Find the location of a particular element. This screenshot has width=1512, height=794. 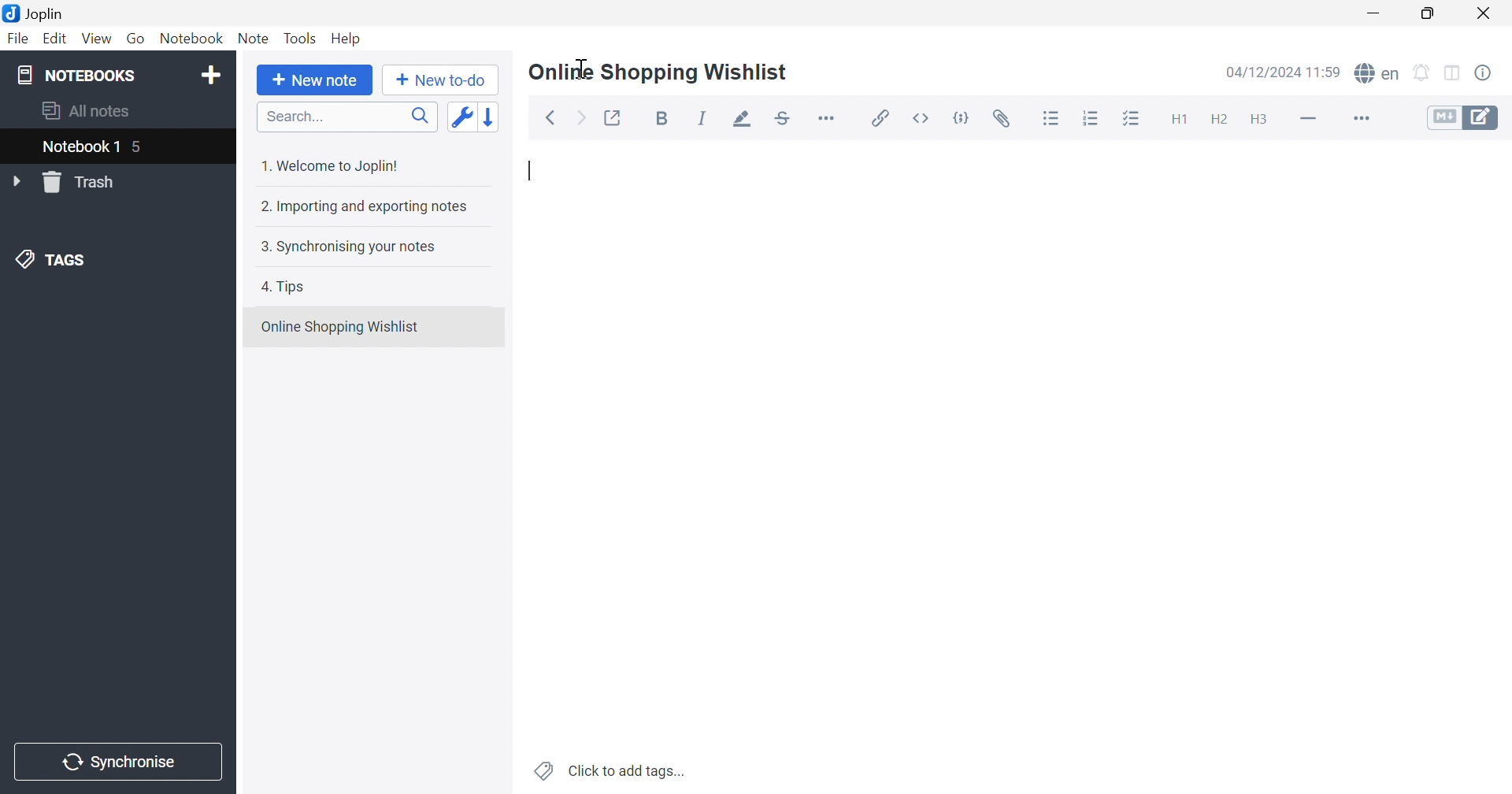

Notebook is located at coordinates (191, 38).